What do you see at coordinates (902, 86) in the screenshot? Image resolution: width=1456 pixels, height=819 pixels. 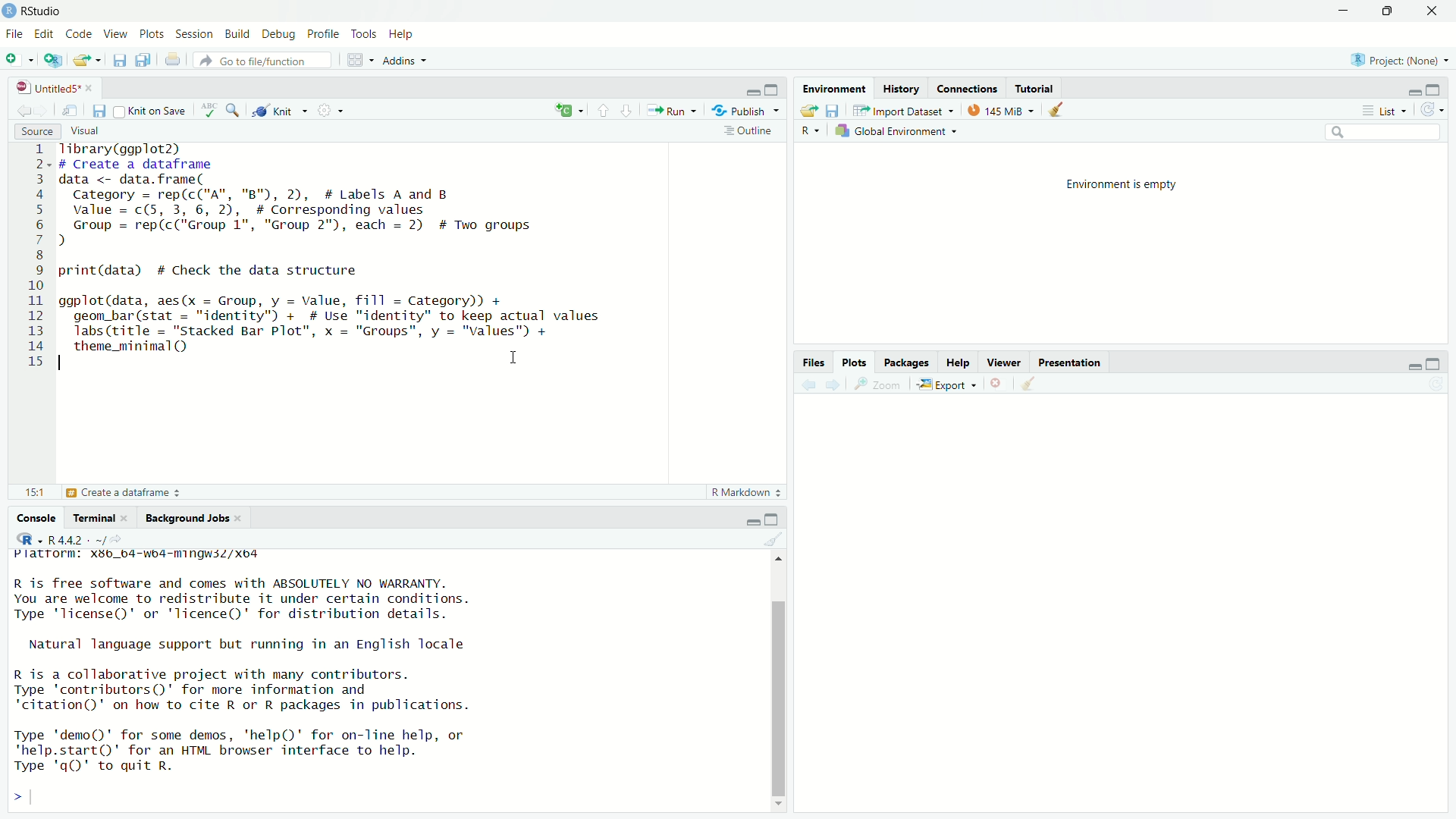 I see `History` at bounding box center [902, 86].